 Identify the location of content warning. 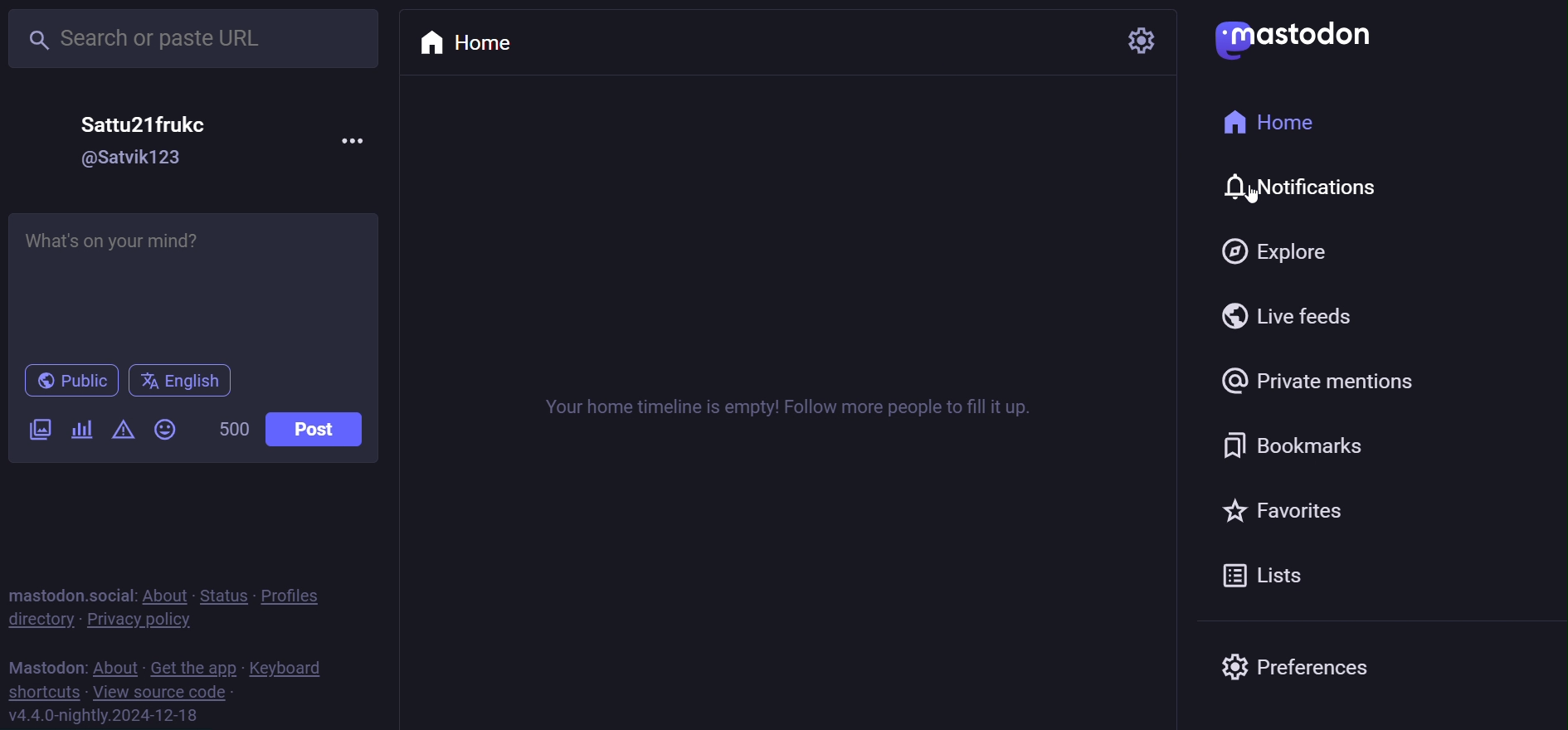
(121, 431).